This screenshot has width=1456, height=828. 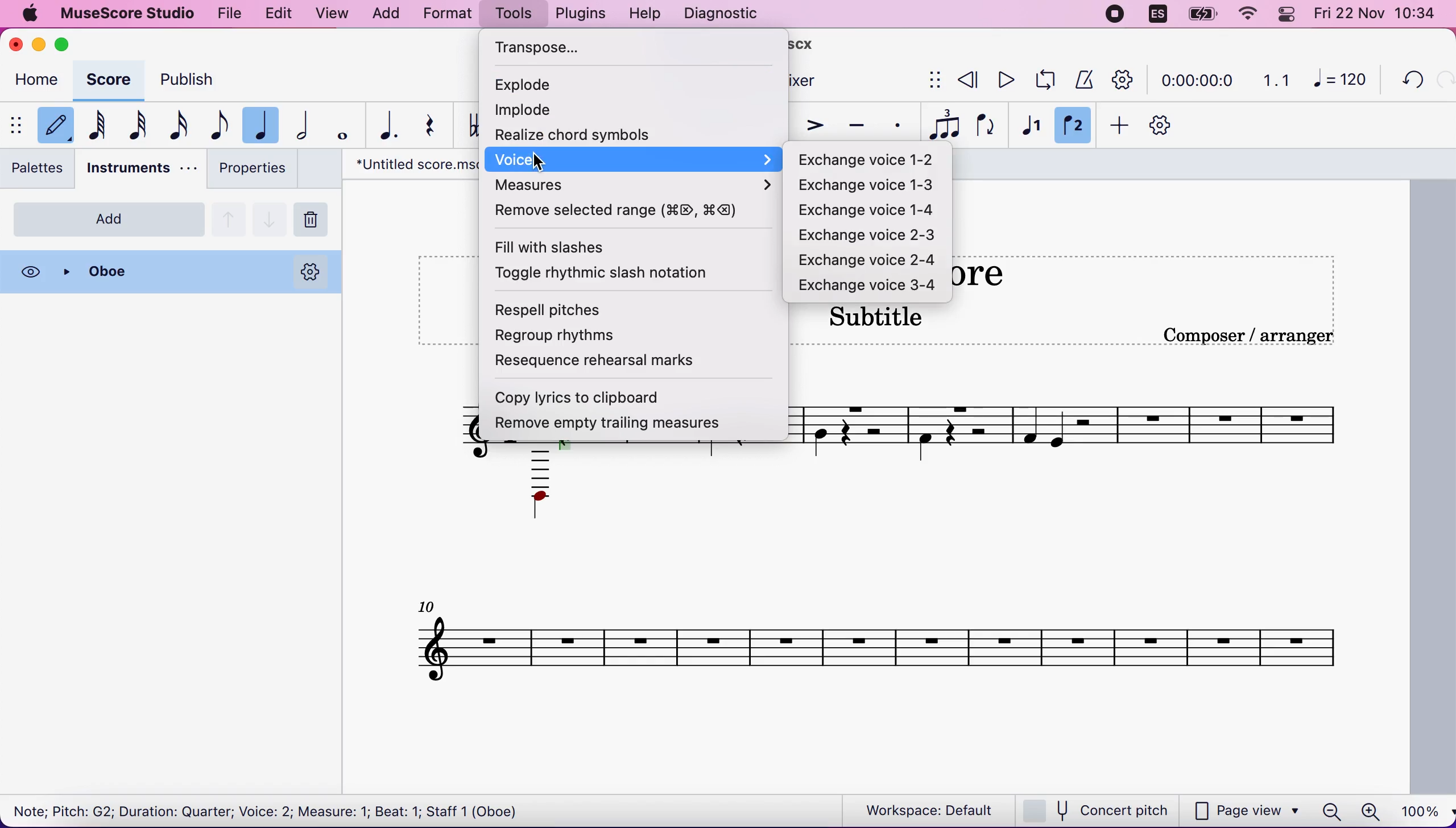 I want to click on properties, so click(x=256, y=171).